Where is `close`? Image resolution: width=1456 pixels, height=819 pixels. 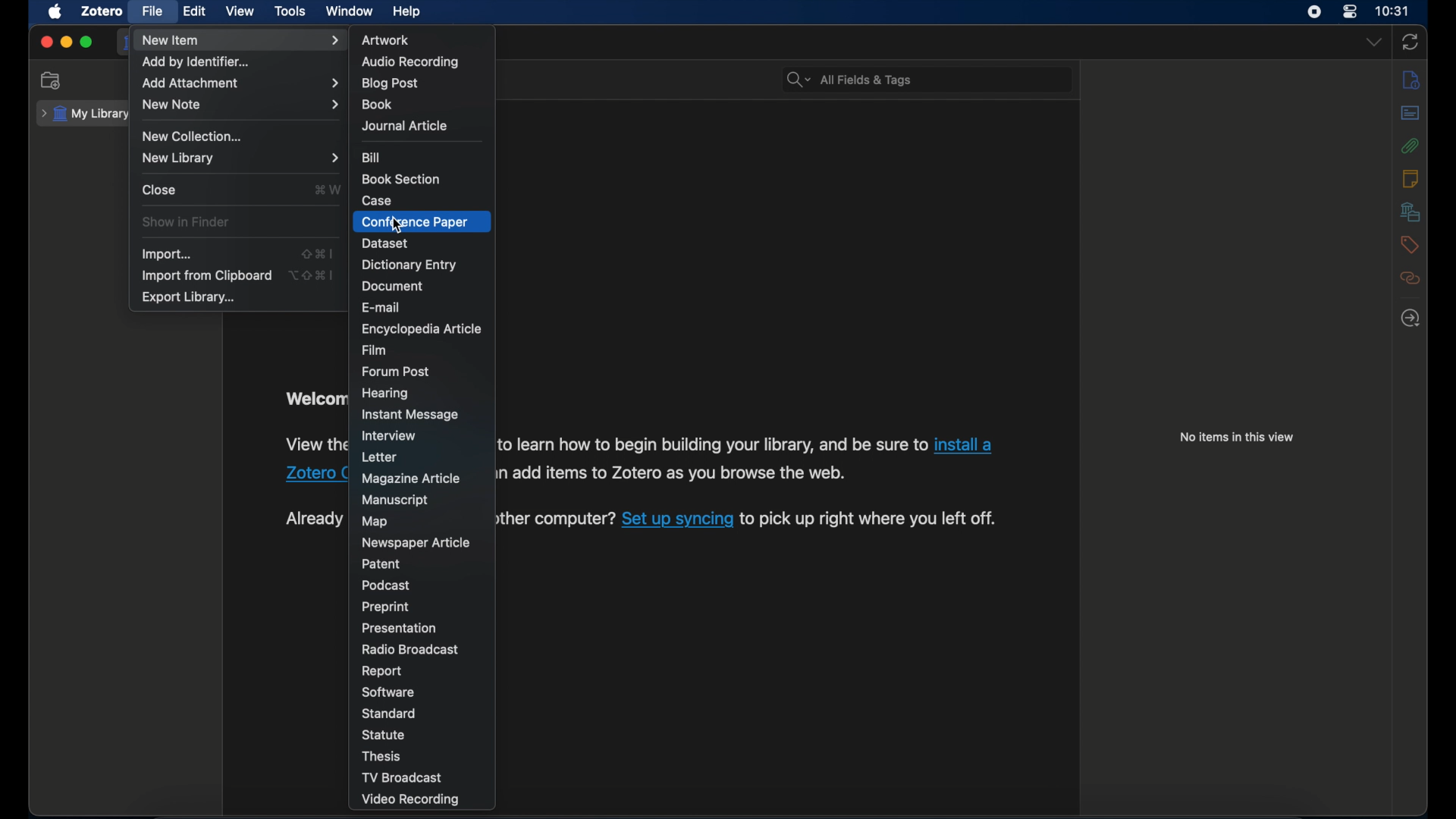
close is located at coordinates (160, 190).